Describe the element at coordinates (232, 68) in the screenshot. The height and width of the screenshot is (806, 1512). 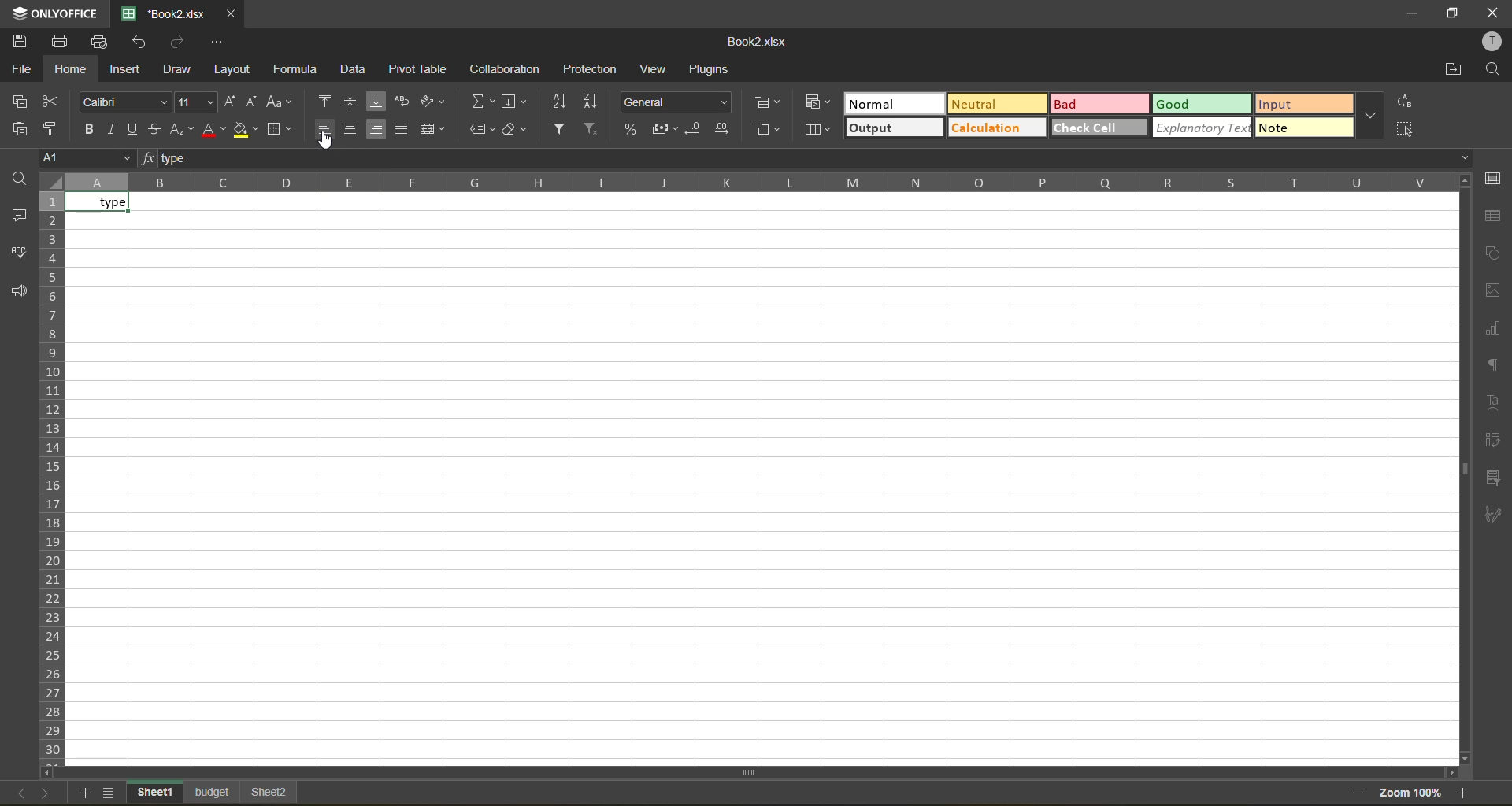
I see `layout` at that location.